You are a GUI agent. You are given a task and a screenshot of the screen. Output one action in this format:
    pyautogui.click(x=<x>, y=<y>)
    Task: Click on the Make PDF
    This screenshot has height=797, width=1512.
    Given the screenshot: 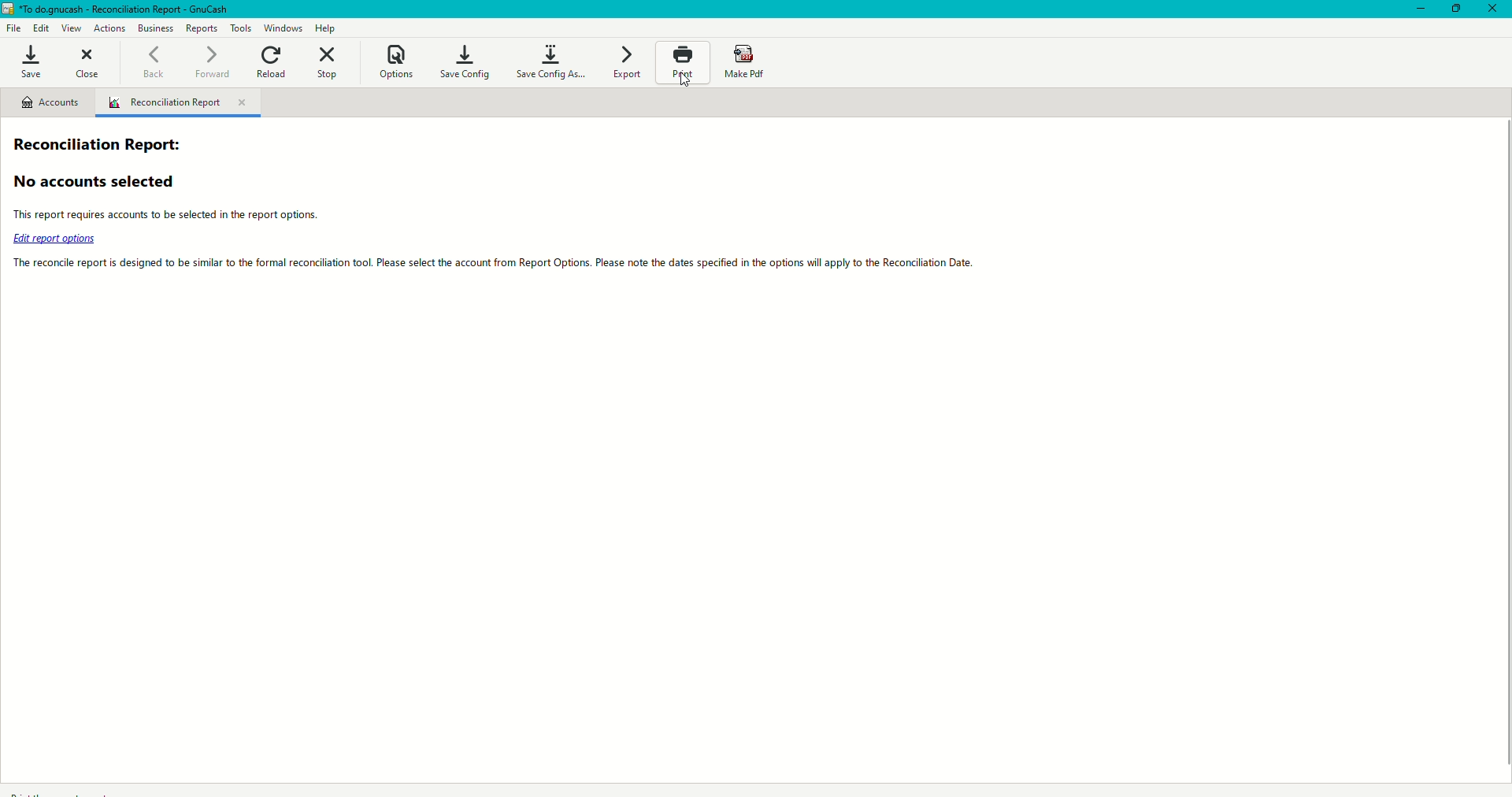 What is the action you would take?
    pyautogui.click(x=747, y=60)
    